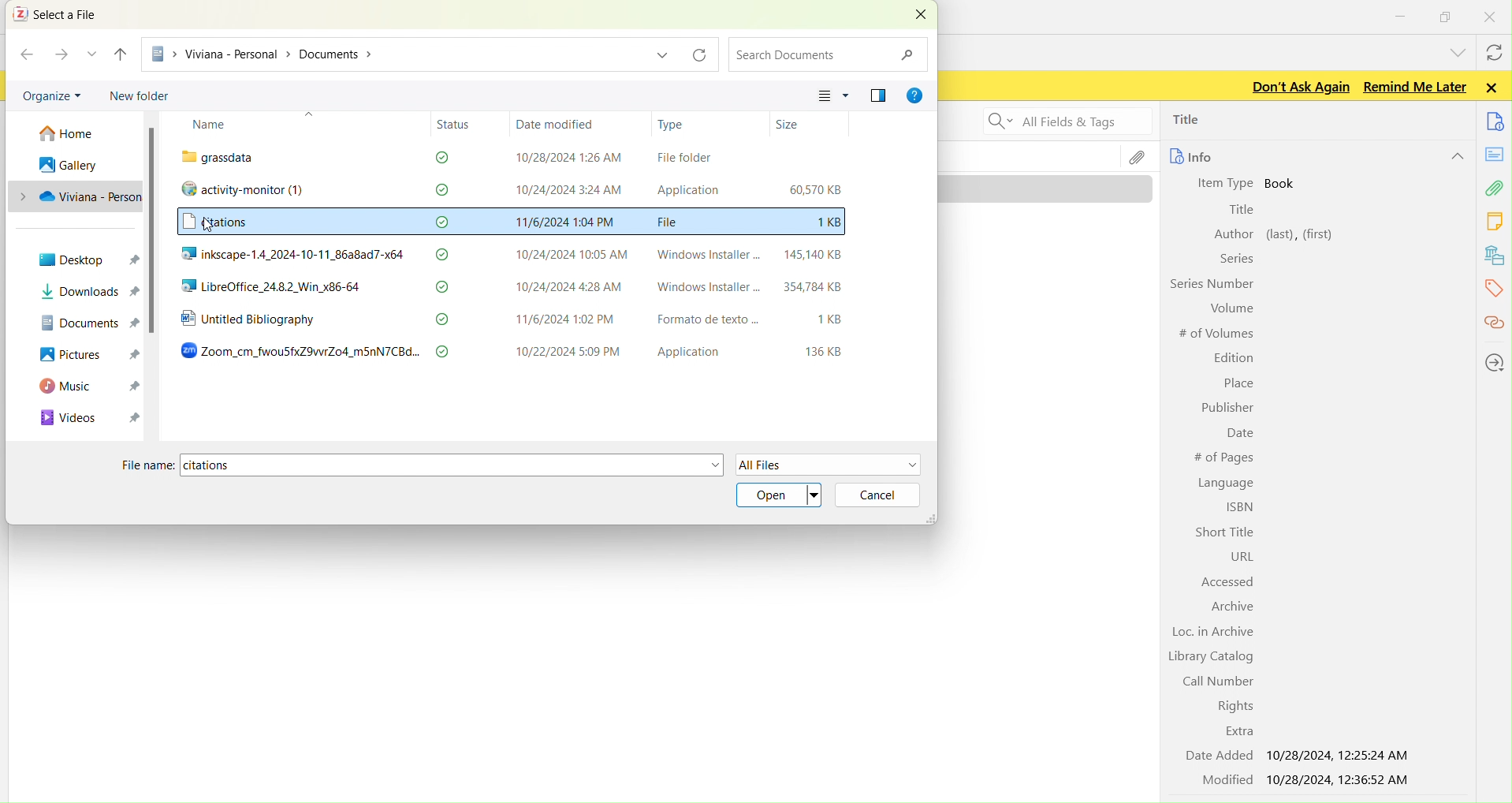  What do you see at coordinates (680, 157) in the screenshot?
I see `File folder` at bounding box center [680, 157].